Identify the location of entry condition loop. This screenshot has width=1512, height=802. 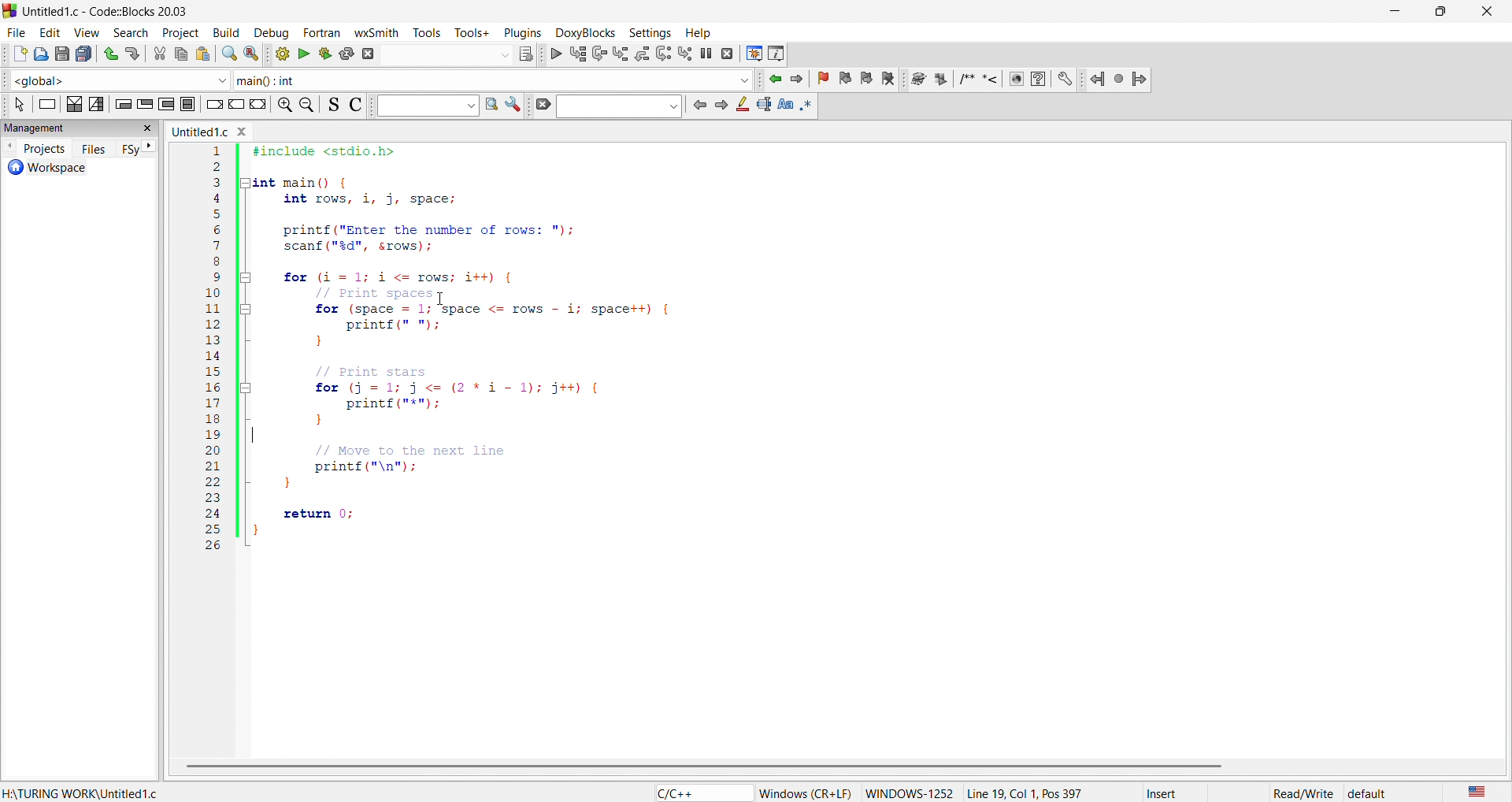
(120, 103).